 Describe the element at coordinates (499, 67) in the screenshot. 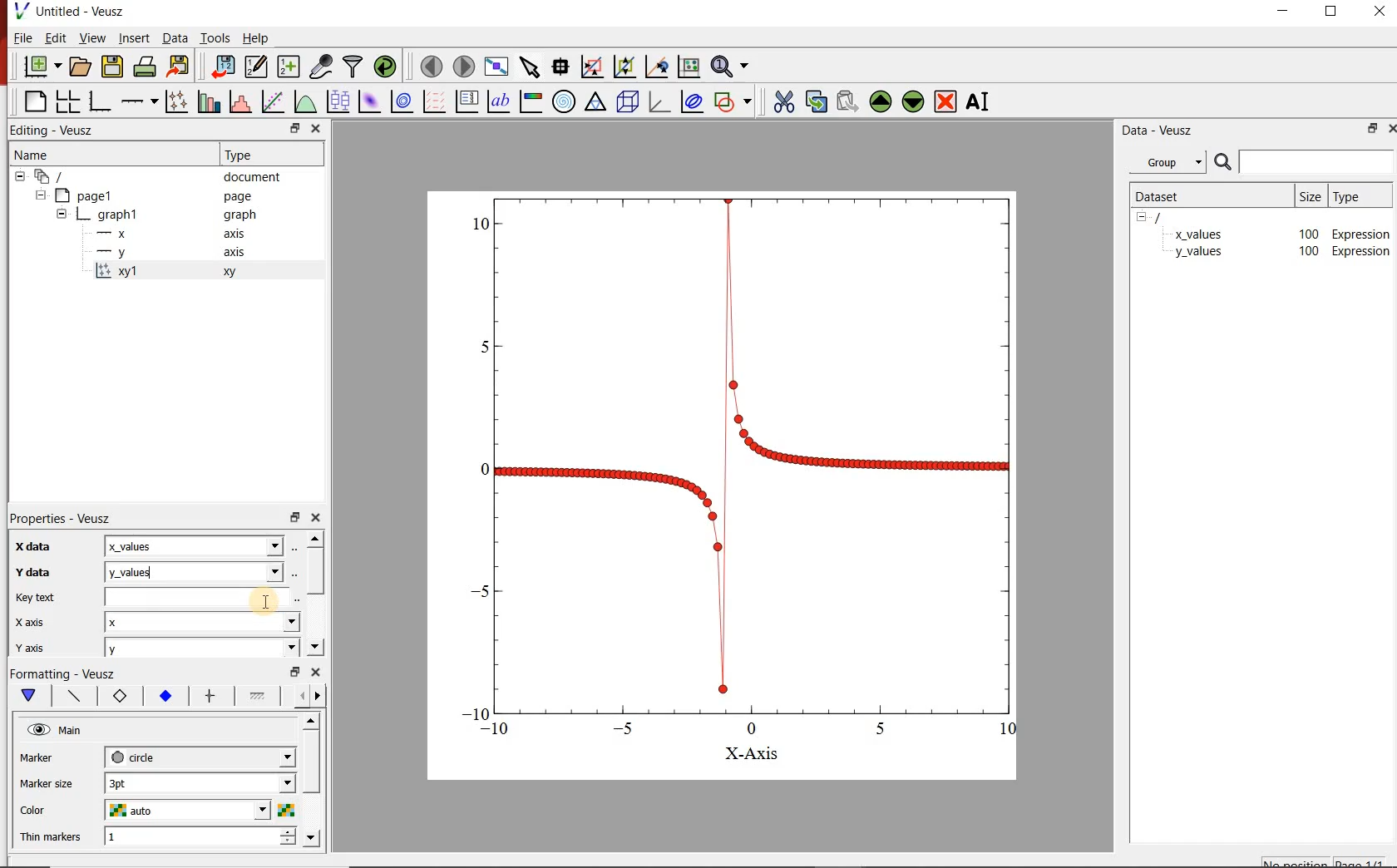

I see `view plot fullscreen` at that location.